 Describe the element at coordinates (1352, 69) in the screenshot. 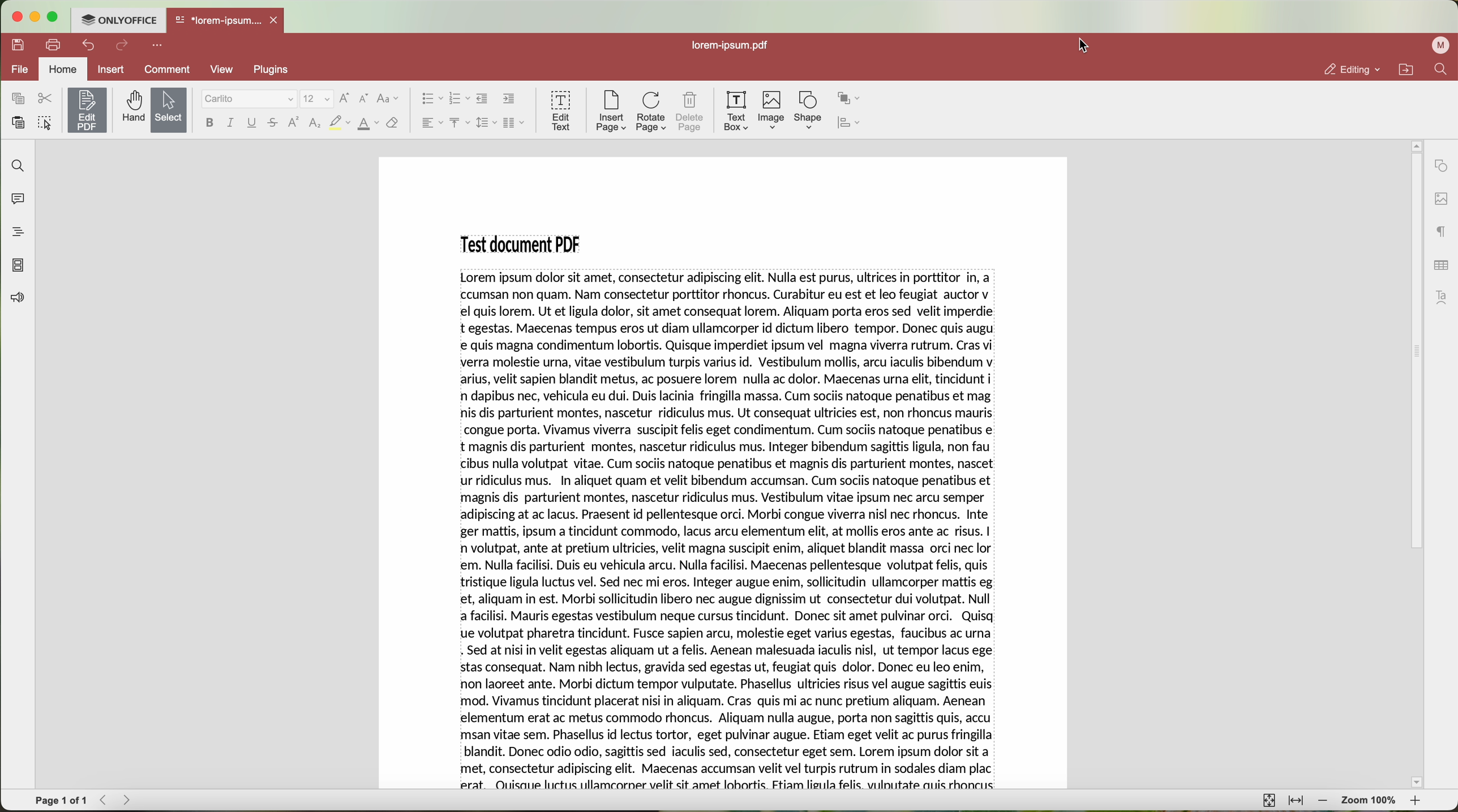

I see `editing` at that location.